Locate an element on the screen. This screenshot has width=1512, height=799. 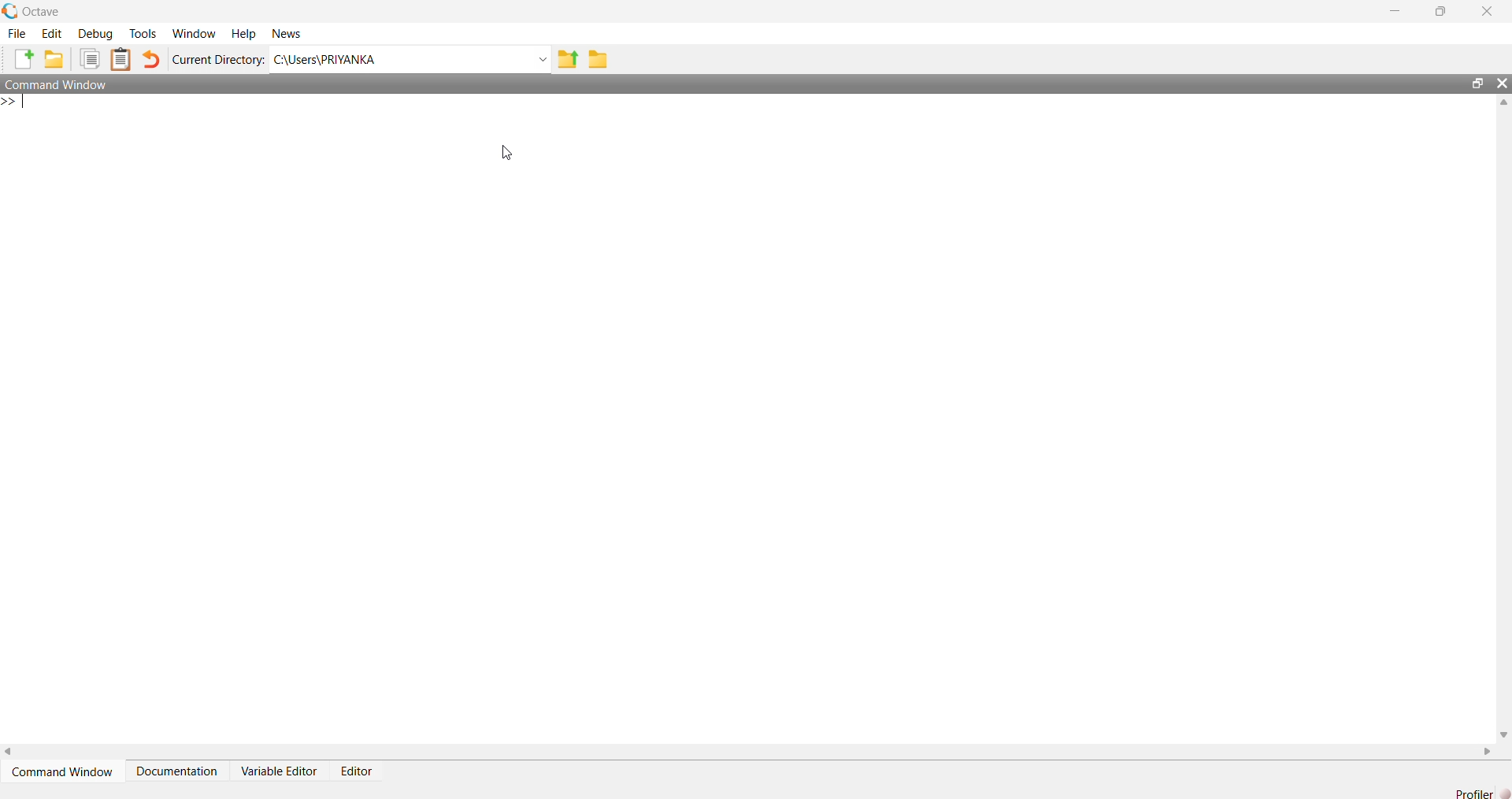
Browse directories is located at coordinates (603, 58).